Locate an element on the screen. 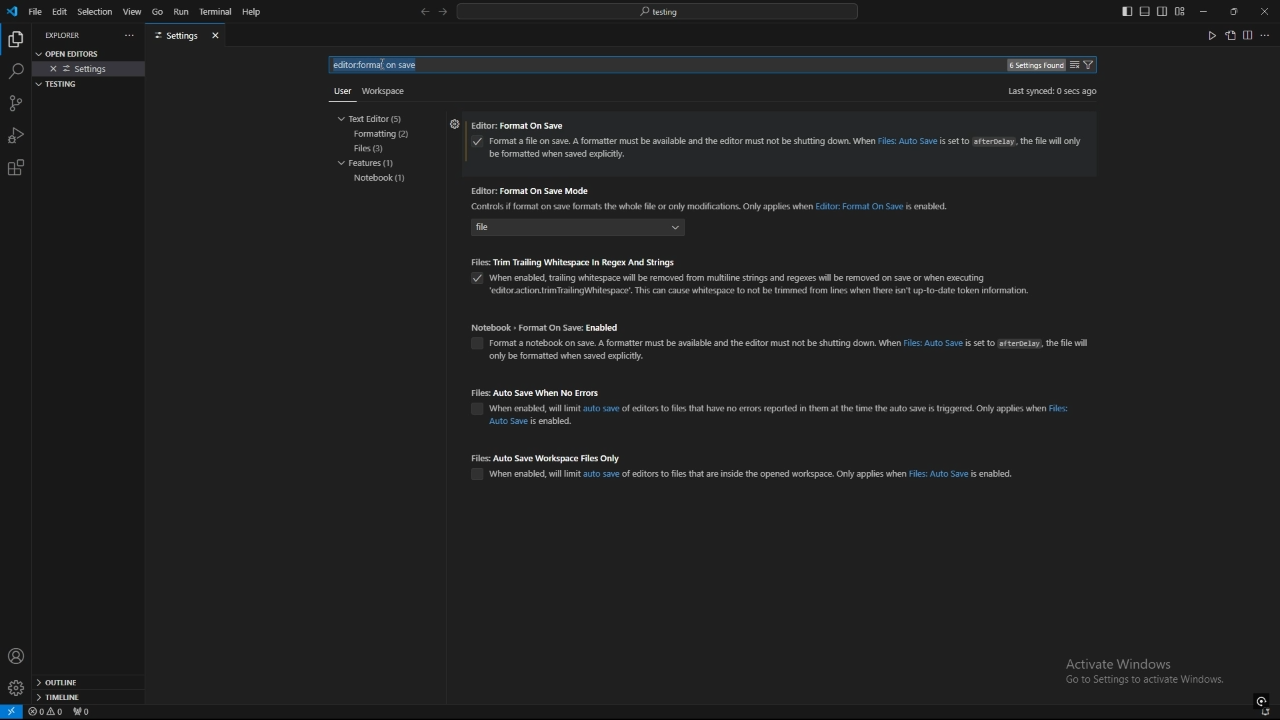 The width and height of the screenshot is (1280, 720). resize is located at coordinates (1233, 11).